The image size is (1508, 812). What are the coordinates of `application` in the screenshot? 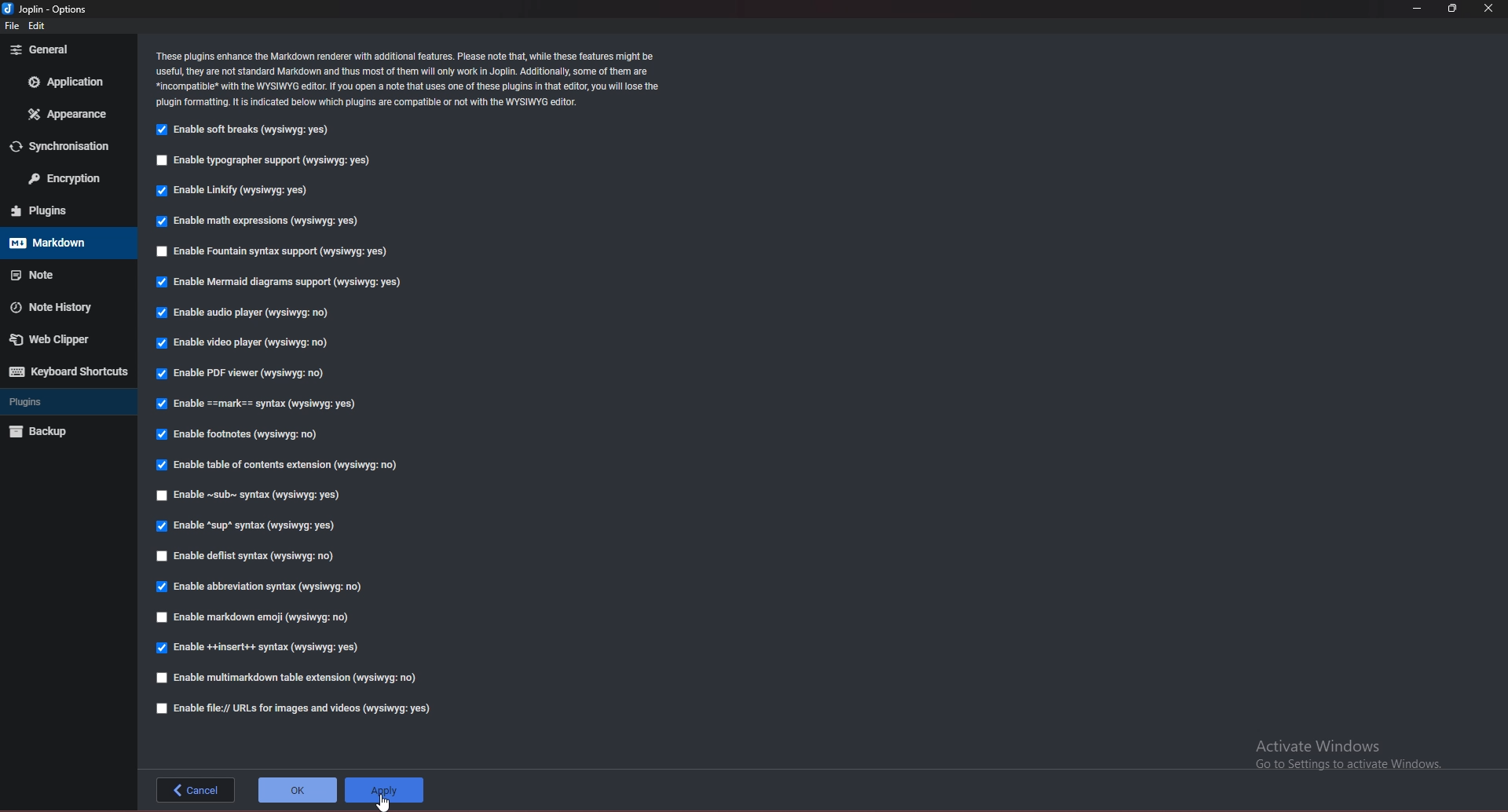 It's located at (68, 82).